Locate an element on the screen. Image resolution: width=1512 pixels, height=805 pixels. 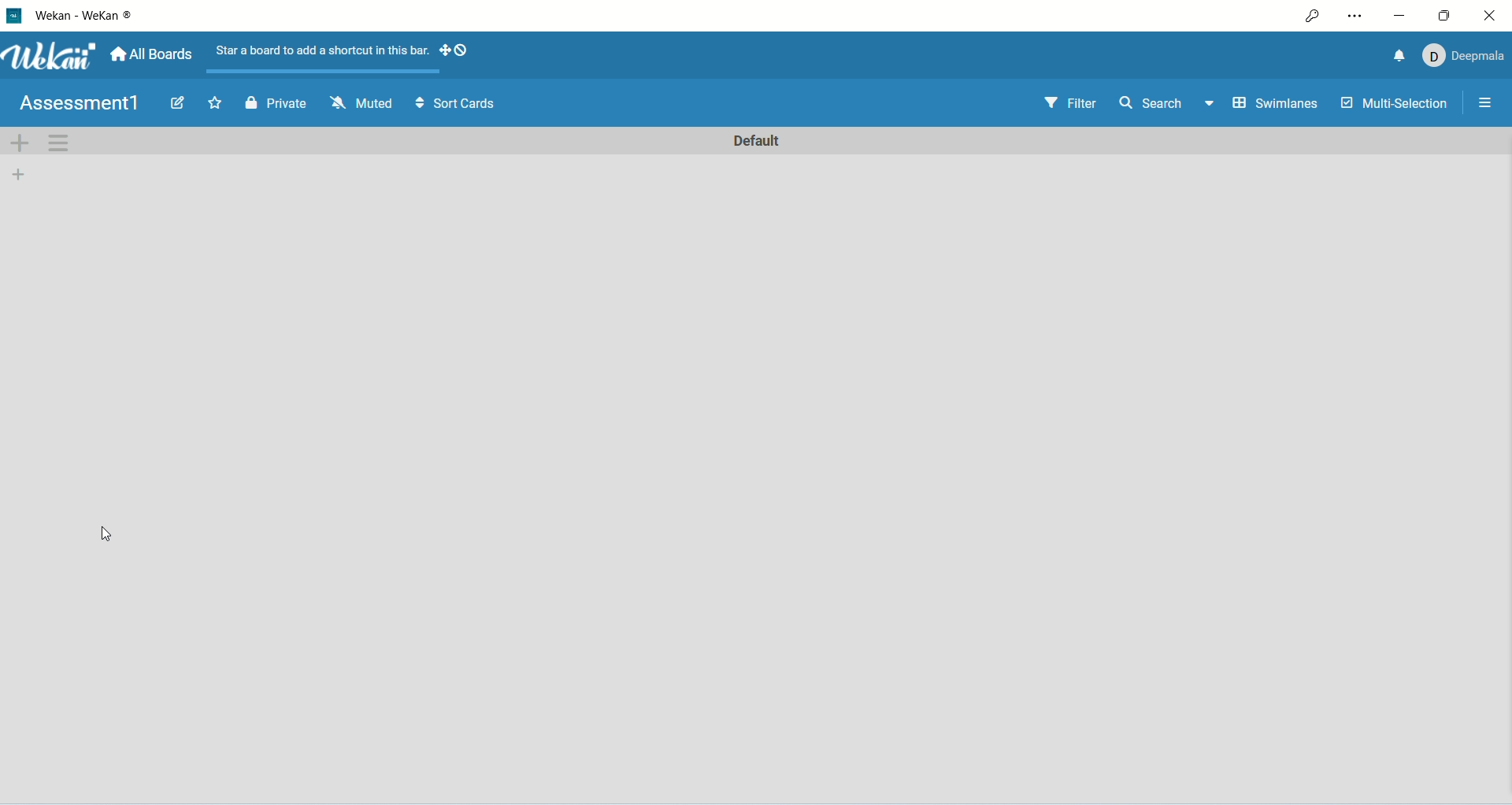
settings and more is located at coordinates (1354, 16).